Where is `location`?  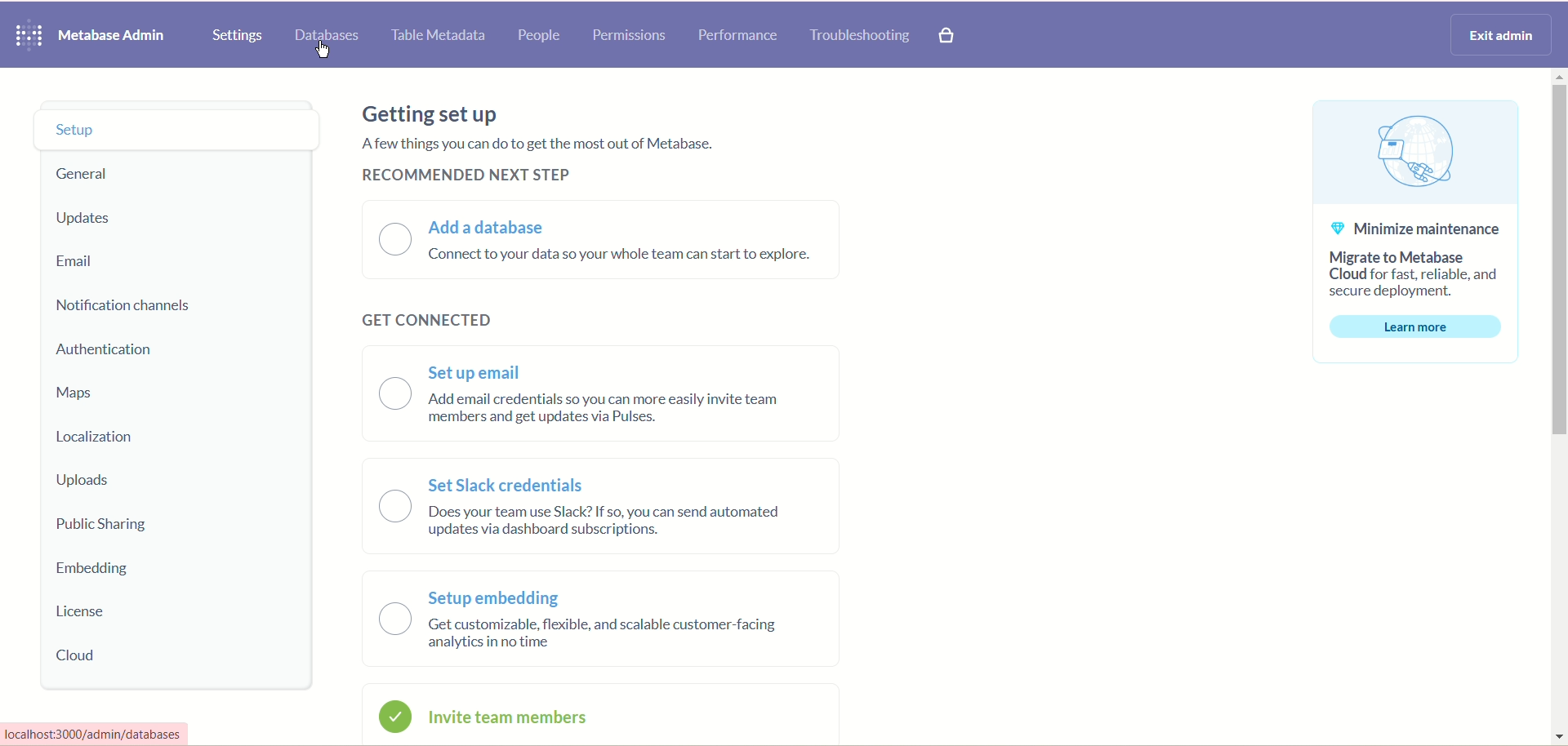
location is located at coordinates (100, 437).